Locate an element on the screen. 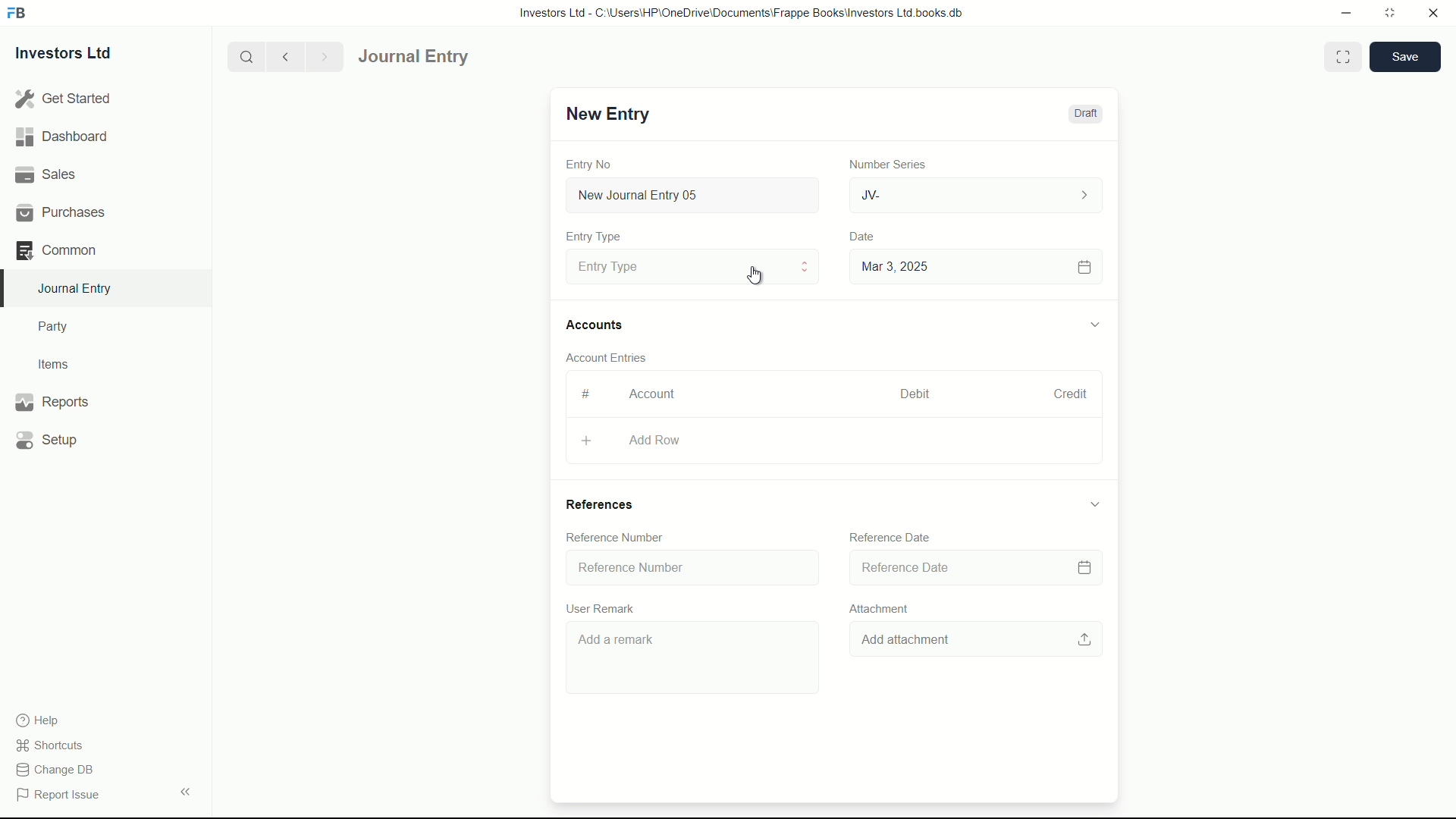 Image resolution: width=1456 pixels, height=819 pixels. expand/collapse is located at coordinates (1094, 504).